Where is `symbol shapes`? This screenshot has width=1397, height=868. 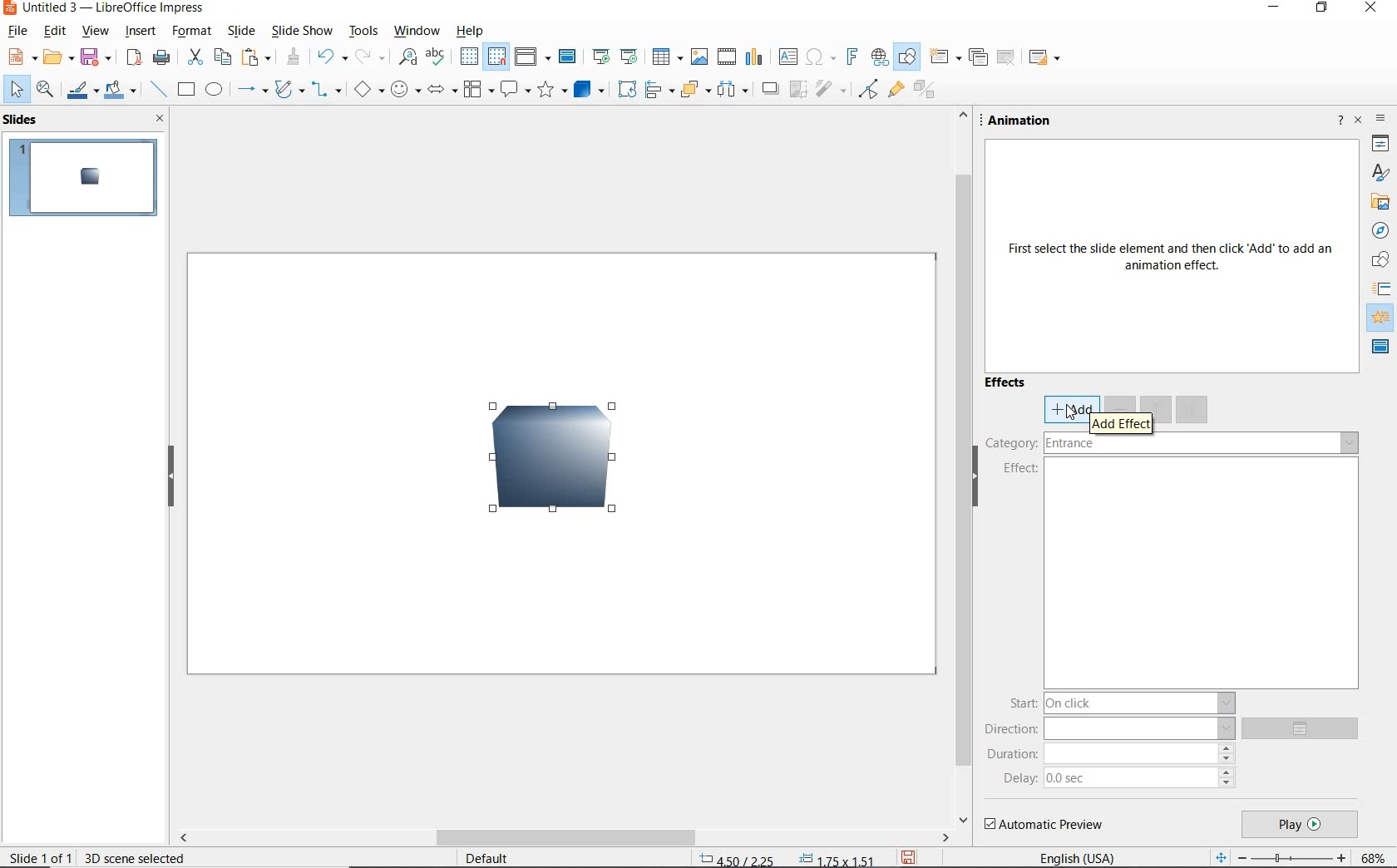
symbol shapes is located at coordinates (404, 90).